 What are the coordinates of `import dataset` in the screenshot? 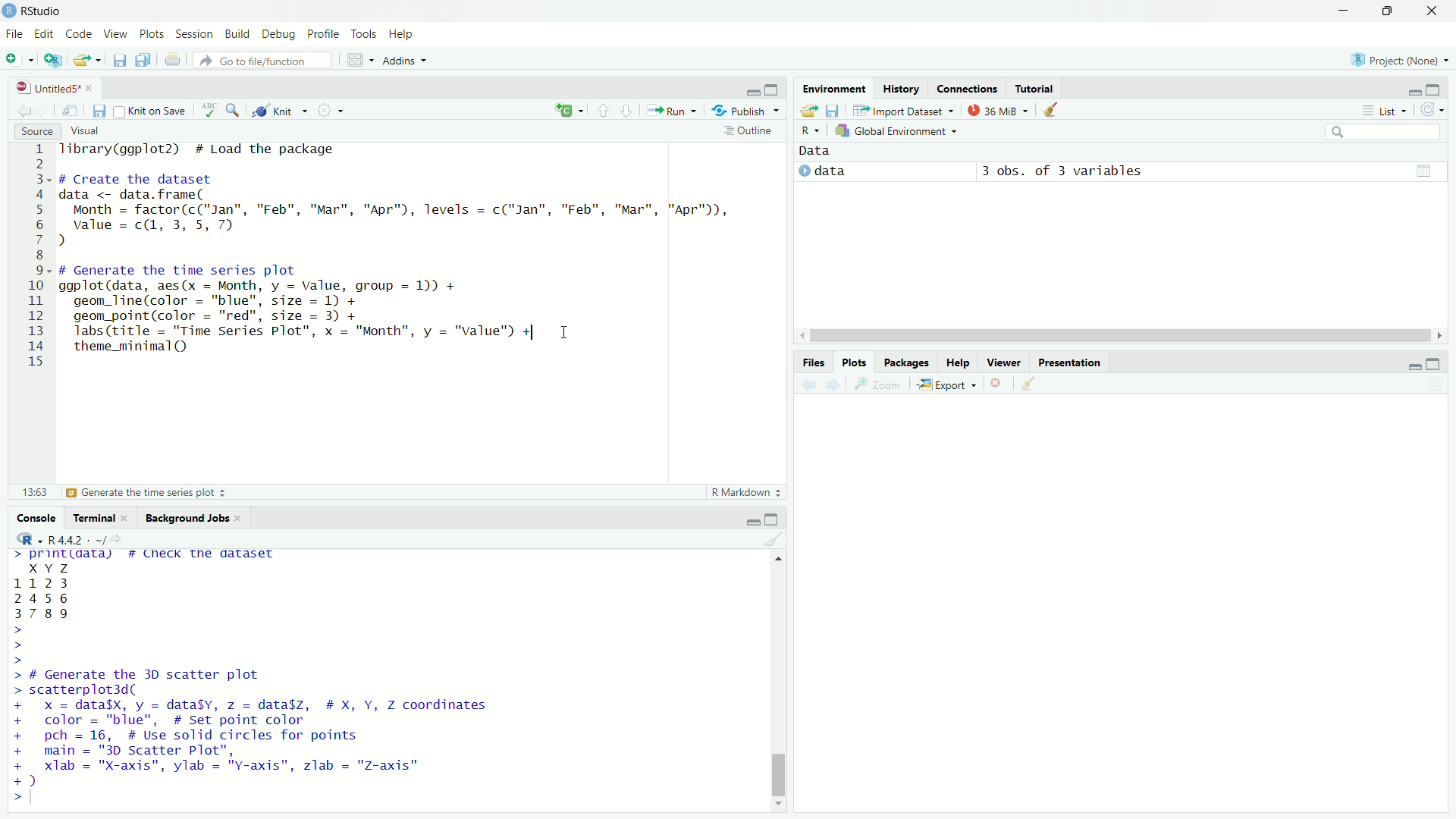 It's located at (903, 110).